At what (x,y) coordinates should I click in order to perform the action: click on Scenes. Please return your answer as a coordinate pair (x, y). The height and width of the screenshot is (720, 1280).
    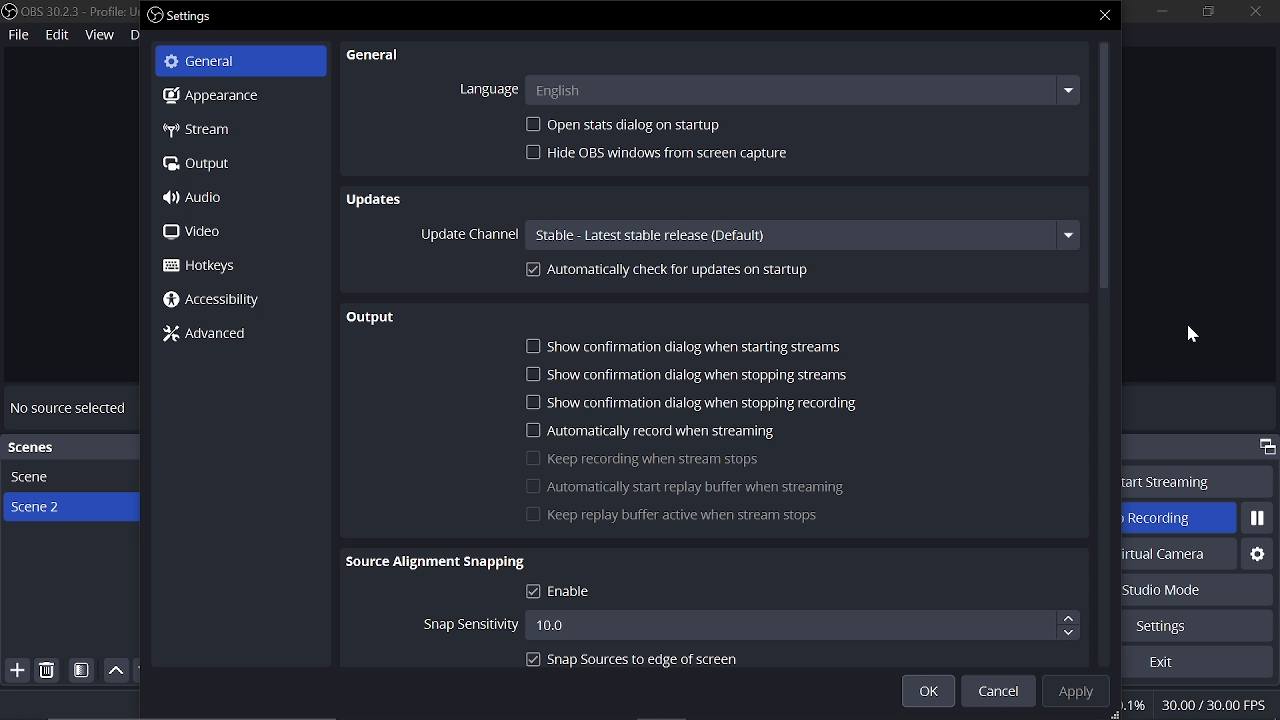
    Looking at the image, I should click on (70, 447).